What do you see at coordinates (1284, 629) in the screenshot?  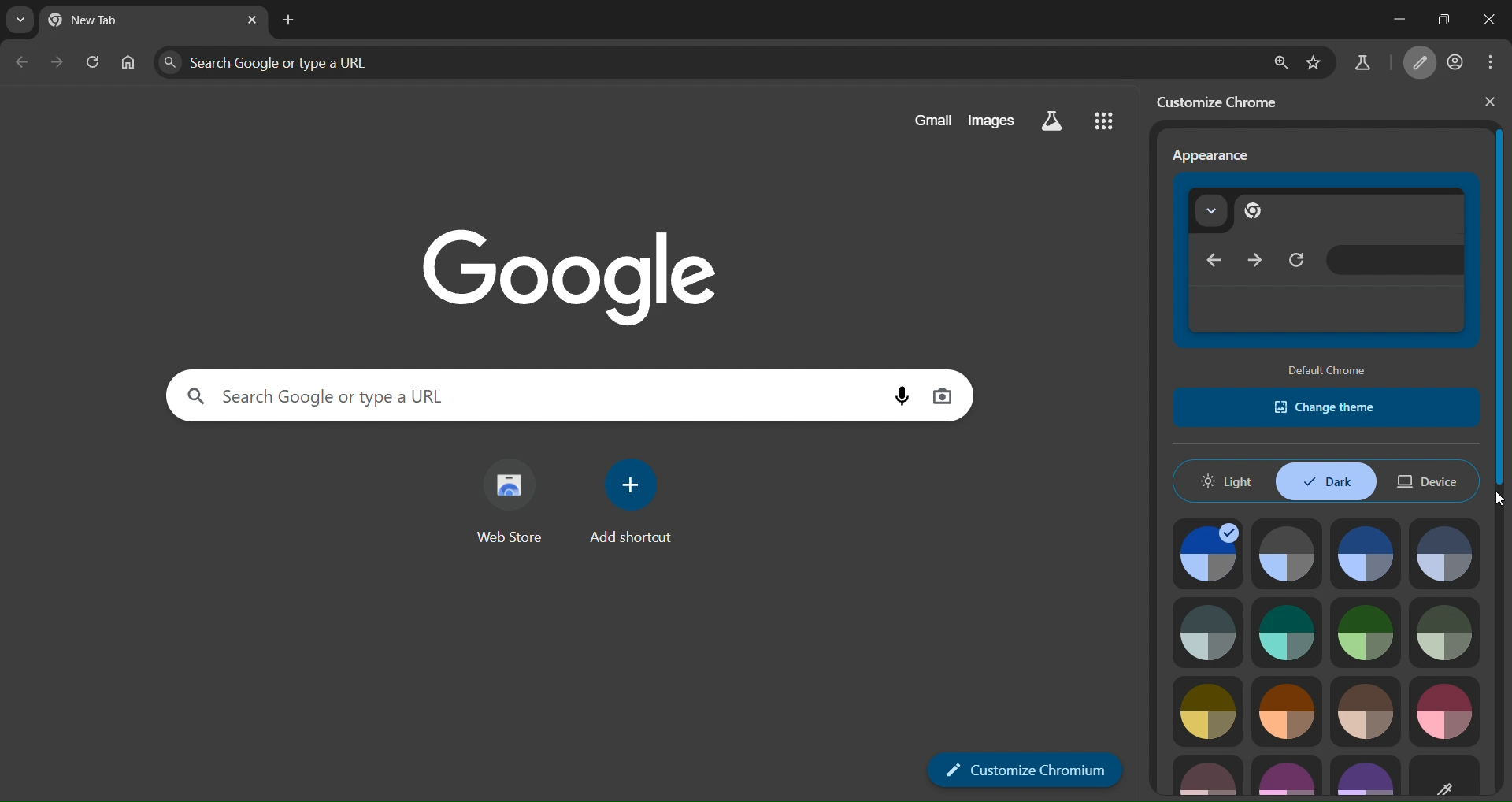 I see `theme` at bounding box center [1284, 629].